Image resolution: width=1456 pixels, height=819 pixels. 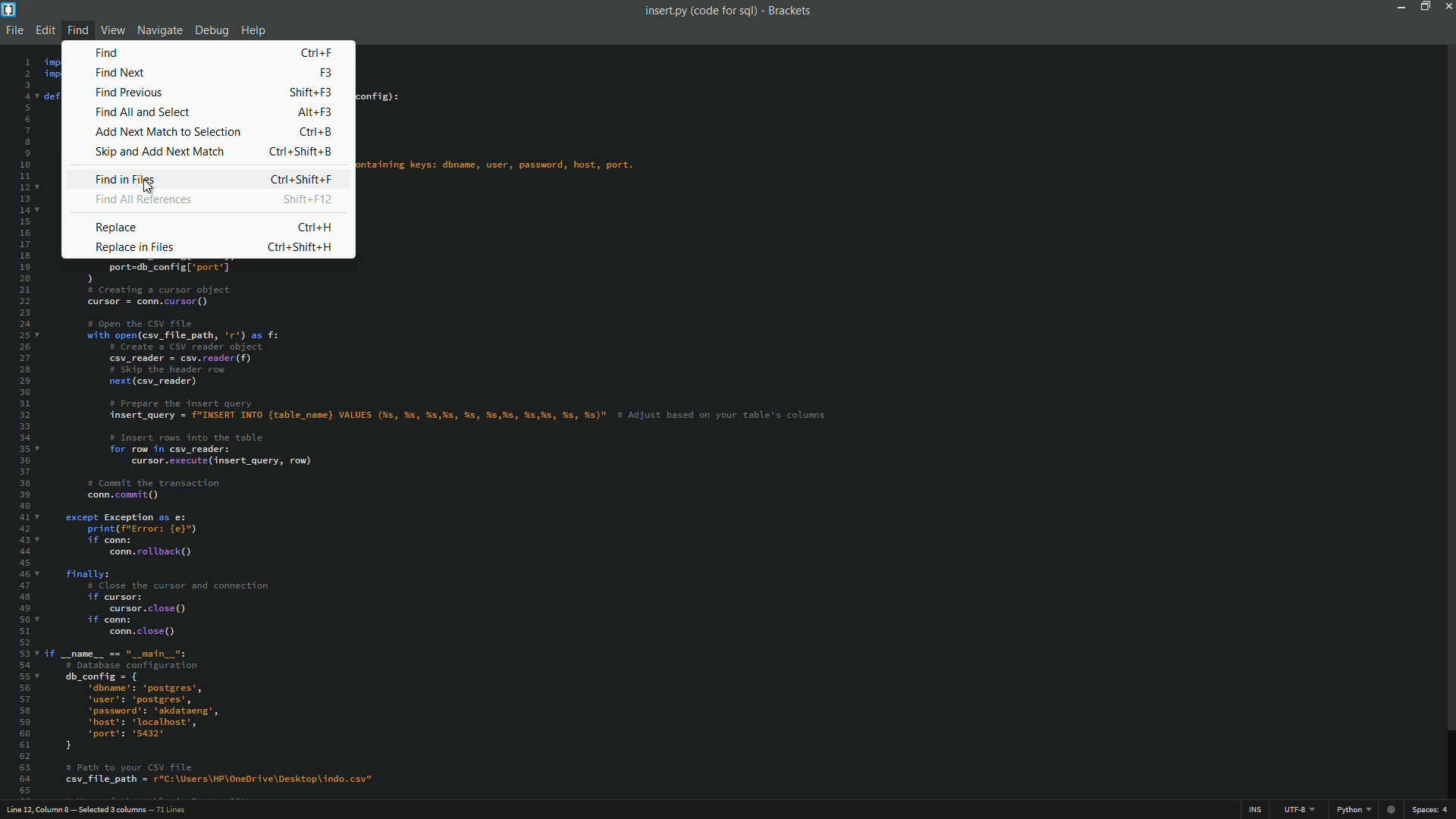 I want to click on find next, so click(x=120, y=74).